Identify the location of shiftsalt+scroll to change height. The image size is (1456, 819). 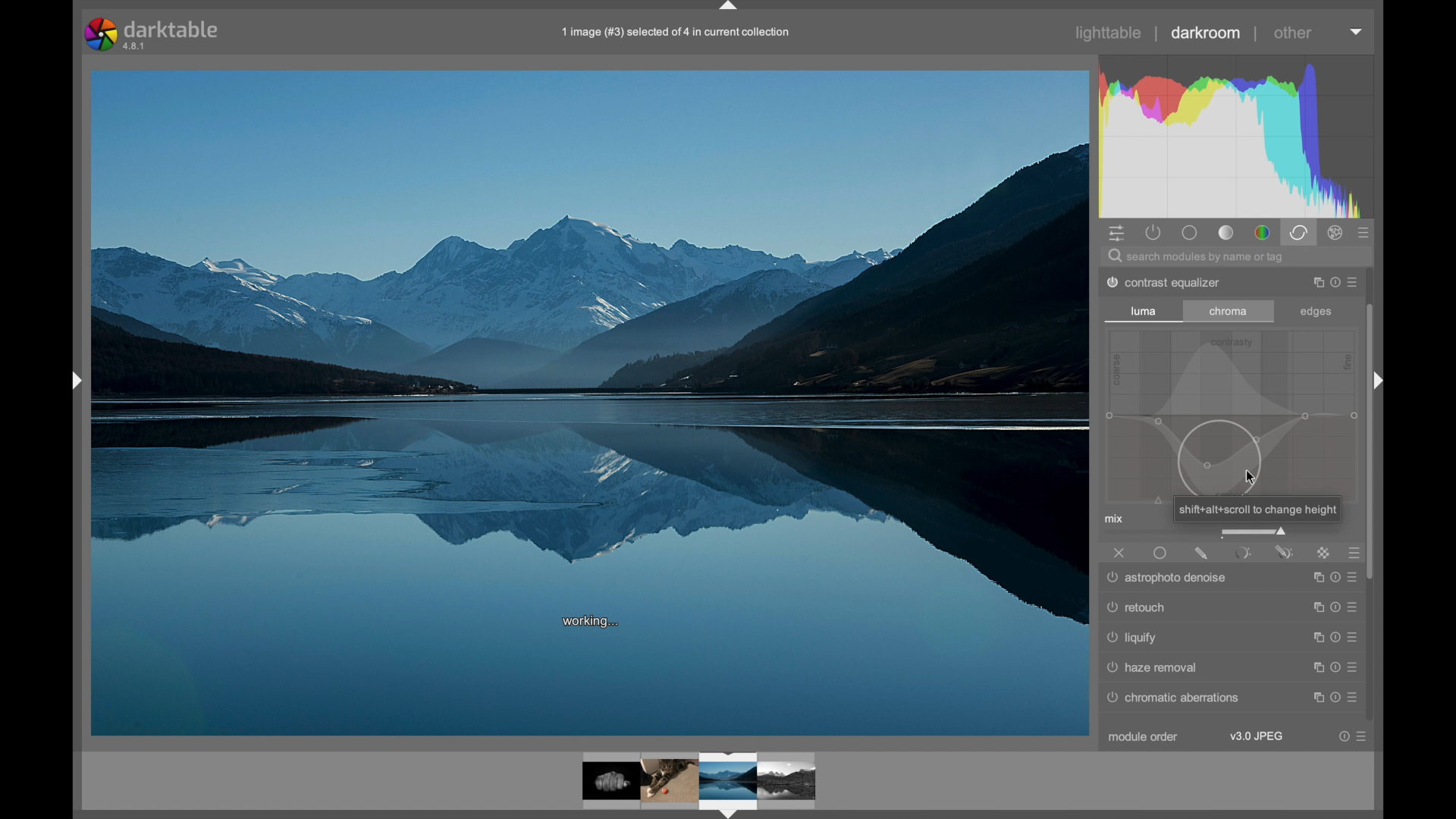
(1259, 510).